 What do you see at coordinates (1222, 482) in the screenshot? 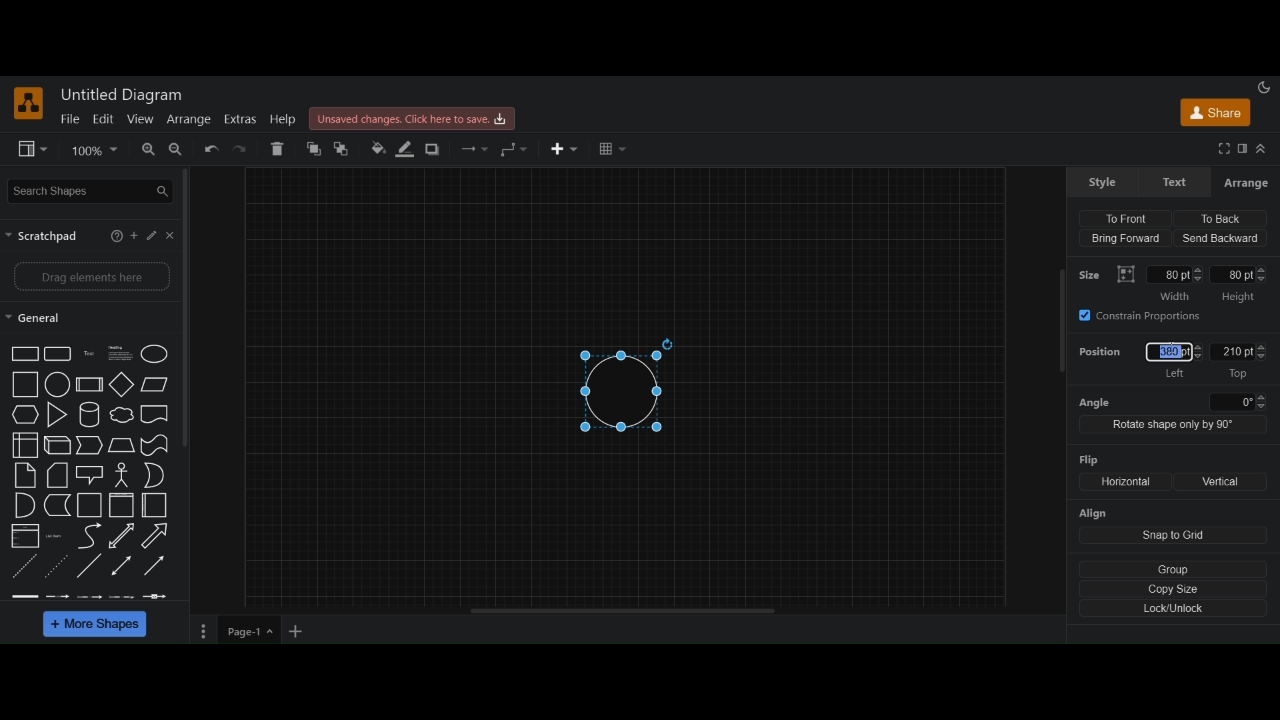
I see `vertical` at bounding box center [1222, 482].